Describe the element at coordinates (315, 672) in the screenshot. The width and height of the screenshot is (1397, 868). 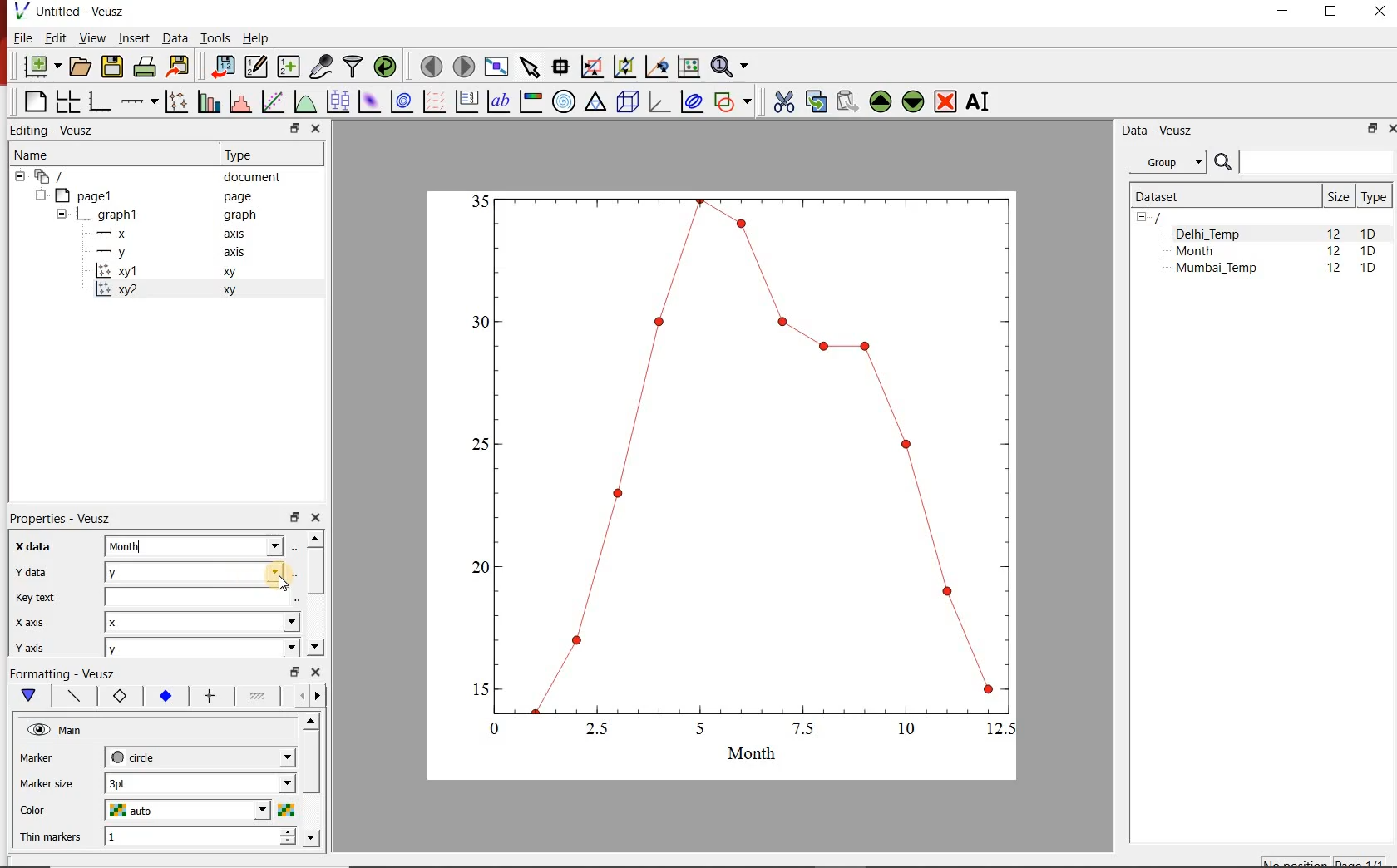
I see `close` at that location.